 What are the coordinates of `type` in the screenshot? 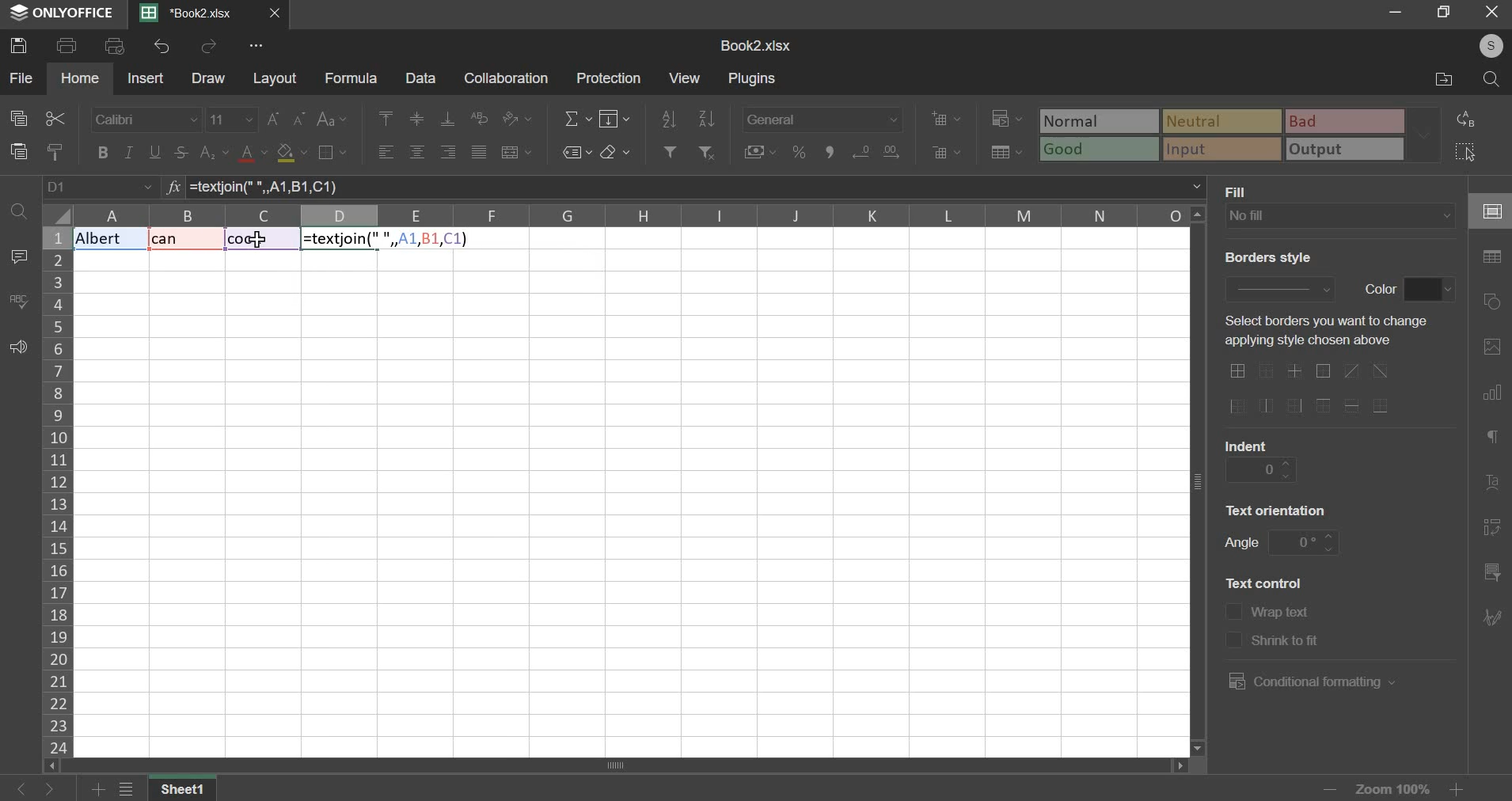 It's located at (1241, 135).